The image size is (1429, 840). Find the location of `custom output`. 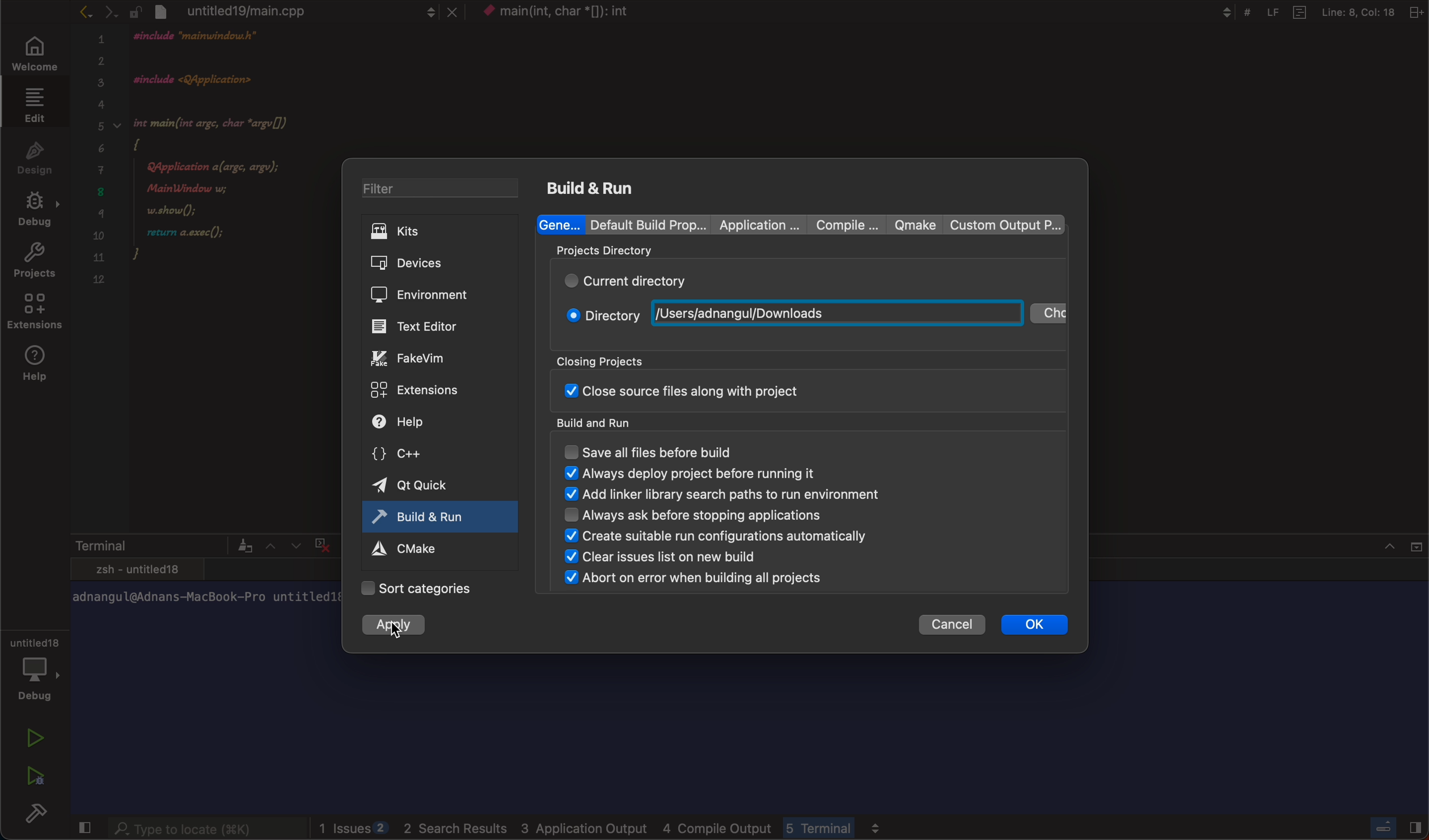

custom output is located at coordinates (1004, 225).